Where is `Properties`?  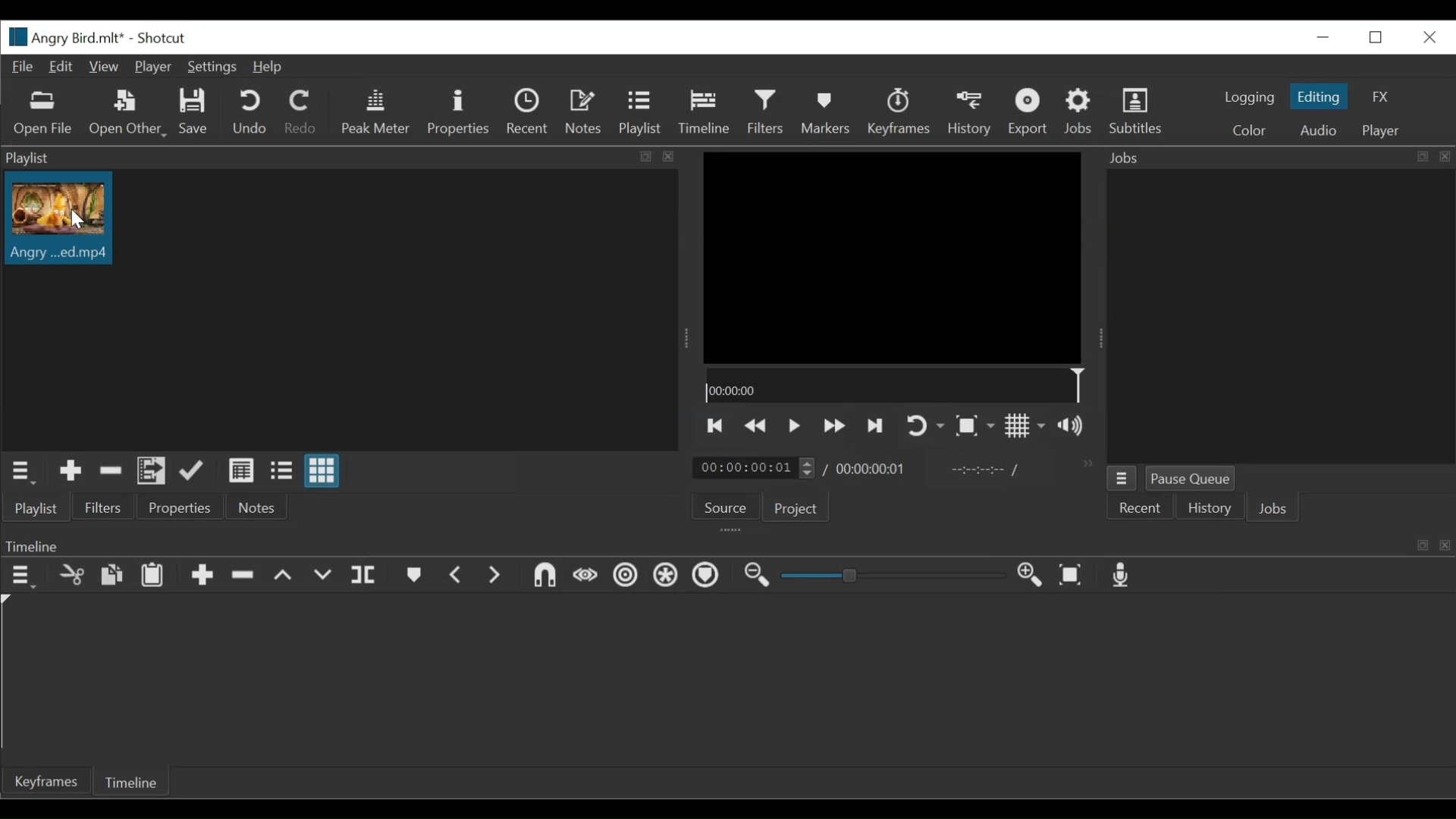
Properties is located at coordinates (462, 113).